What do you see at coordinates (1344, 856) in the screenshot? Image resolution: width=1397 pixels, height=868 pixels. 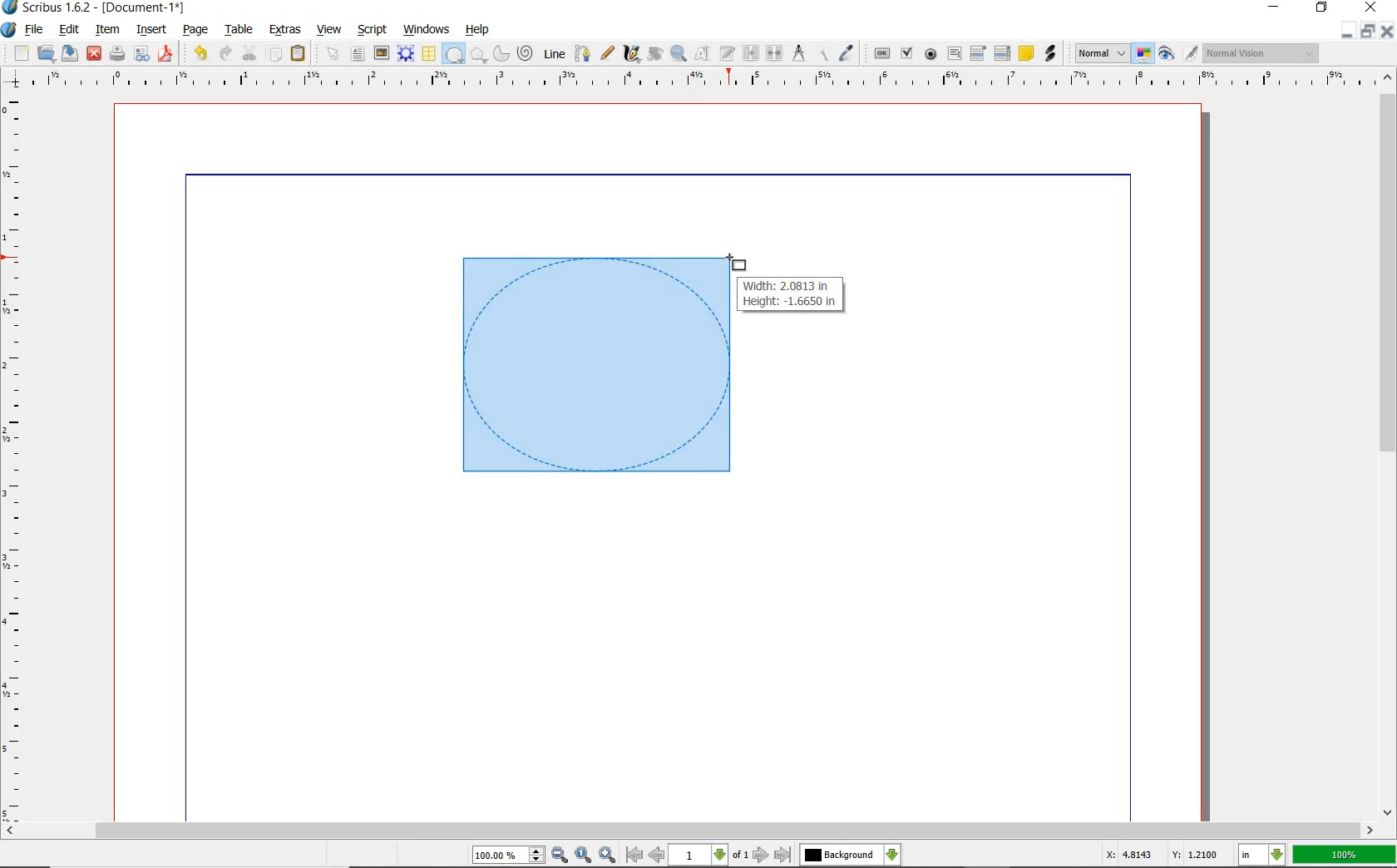 I see `ZOOM FACTOR` at bounding box center [1344, 856].